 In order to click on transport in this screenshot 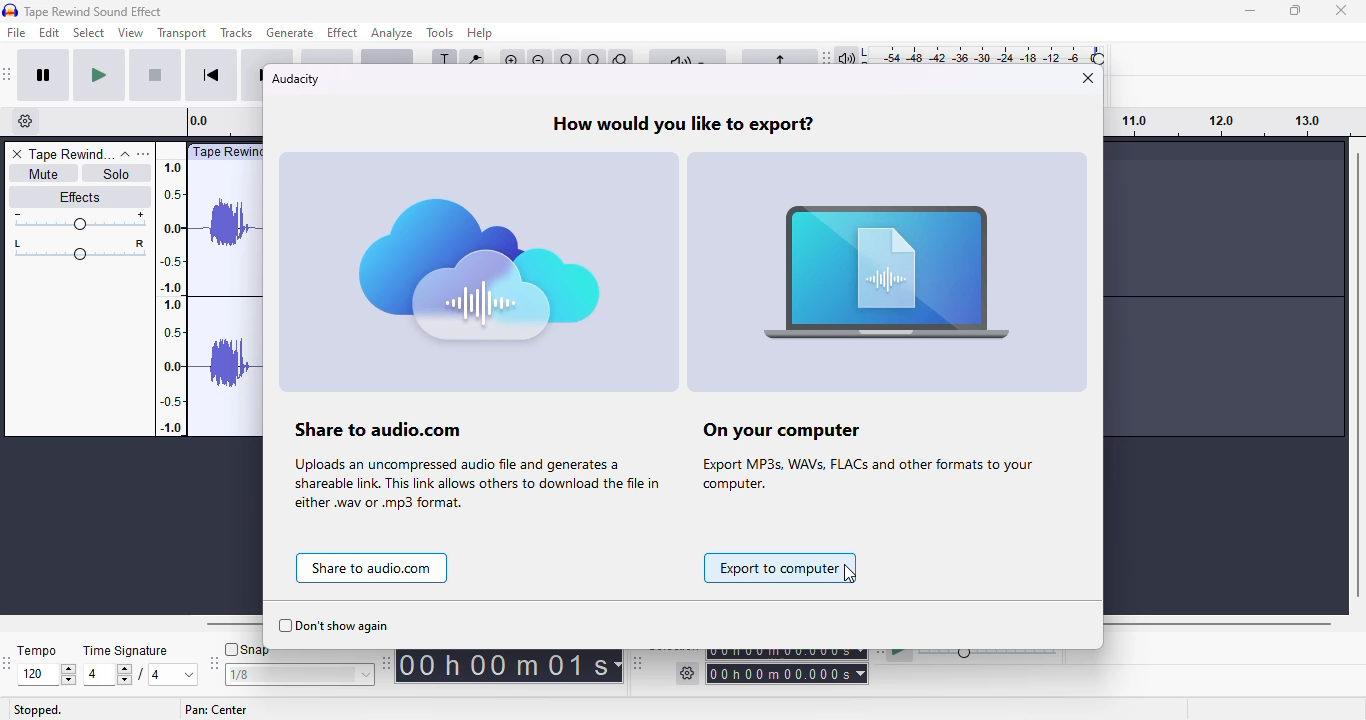, I will do `click(183, 33)`.